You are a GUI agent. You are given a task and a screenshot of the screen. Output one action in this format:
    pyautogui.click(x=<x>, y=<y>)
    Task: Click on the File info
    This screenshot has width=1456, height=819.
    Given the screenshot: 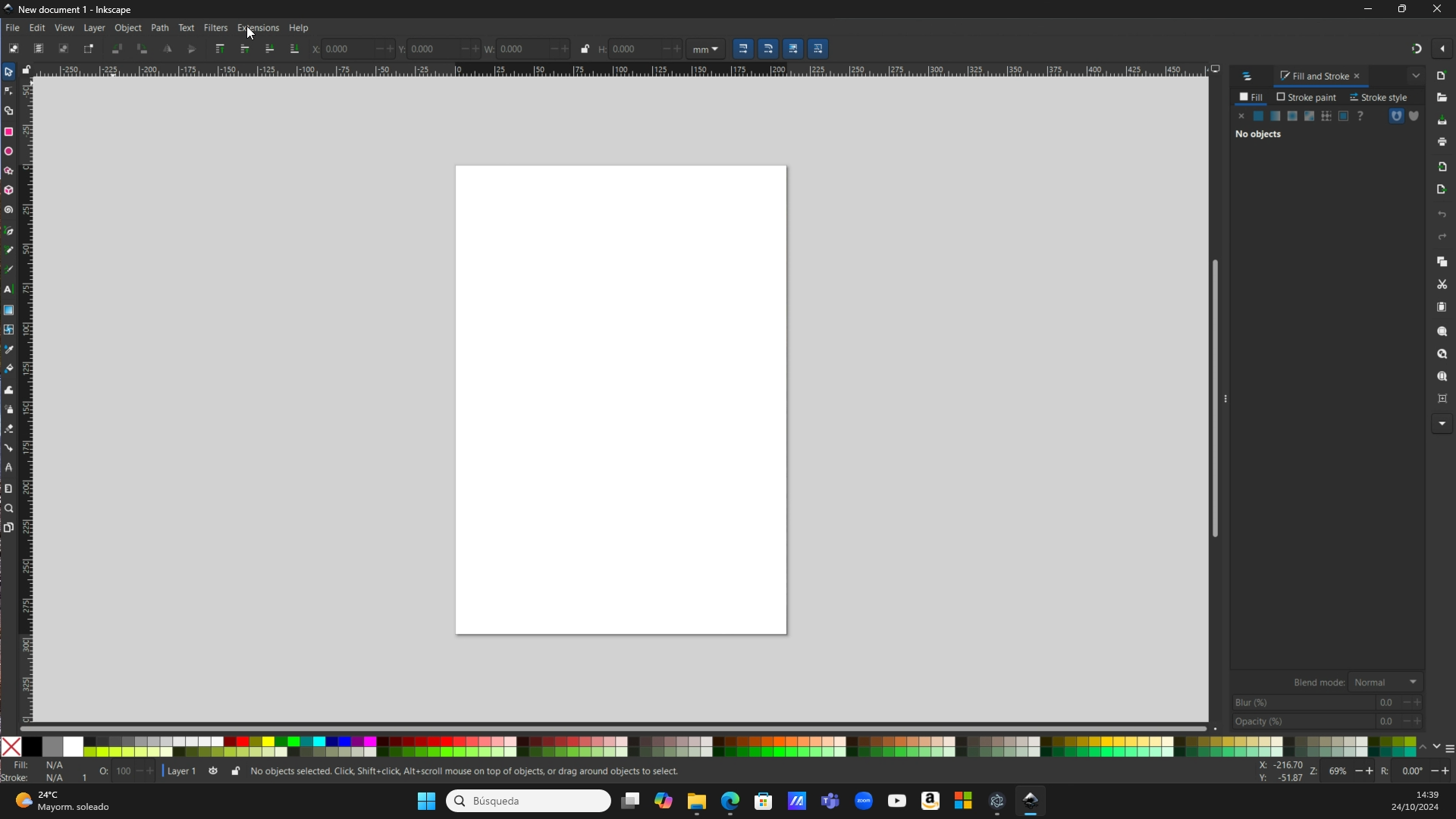 What is the action you would take?
    pyautogui.click(x=342, y=772)
    